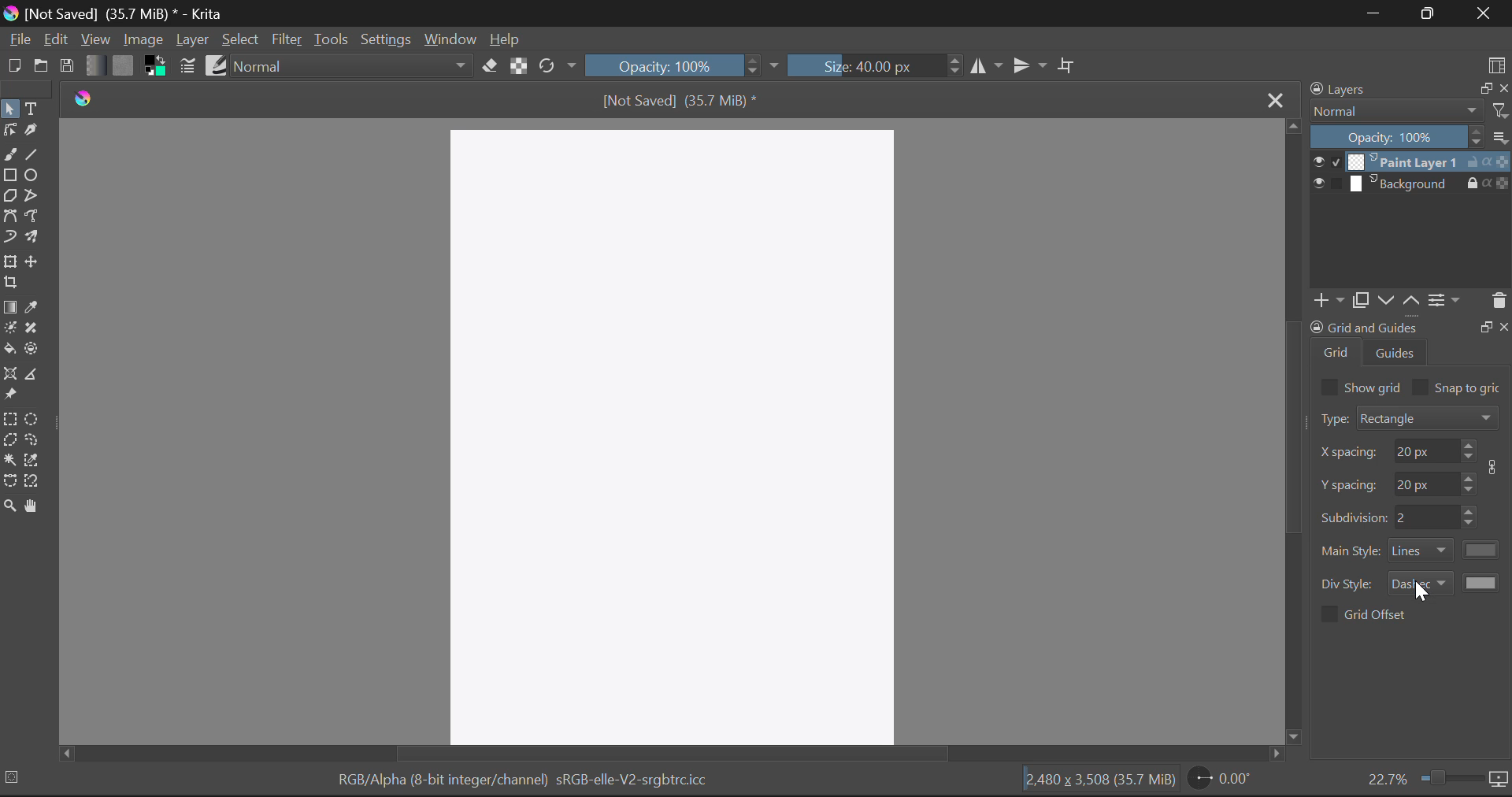  I want to click on Smart Patch Tool, so click(31, 329).